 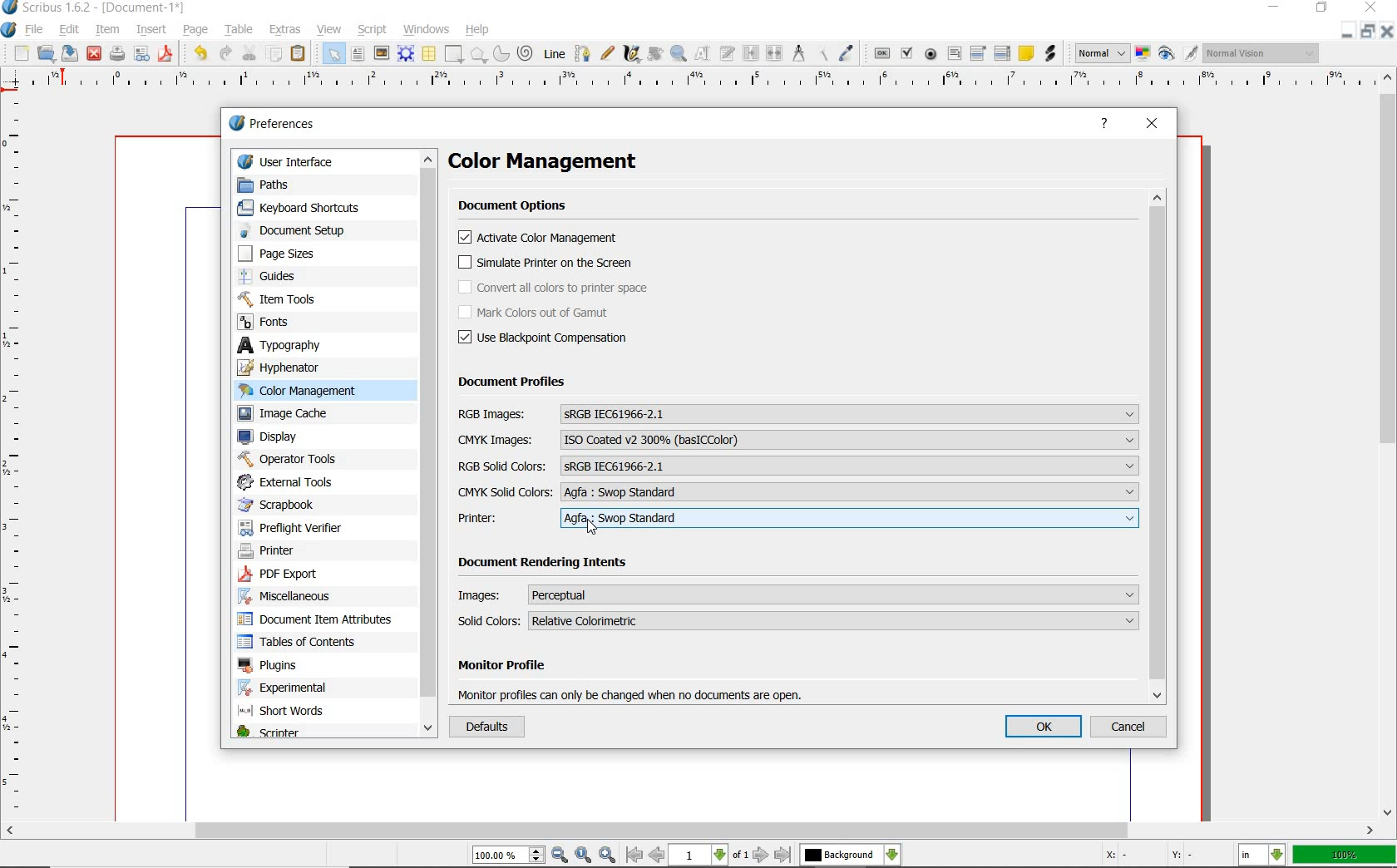 What do you see at coordinates (1143, 52) in the screenshot?
I see `toggle color management` at bounding box center [1143, 52].